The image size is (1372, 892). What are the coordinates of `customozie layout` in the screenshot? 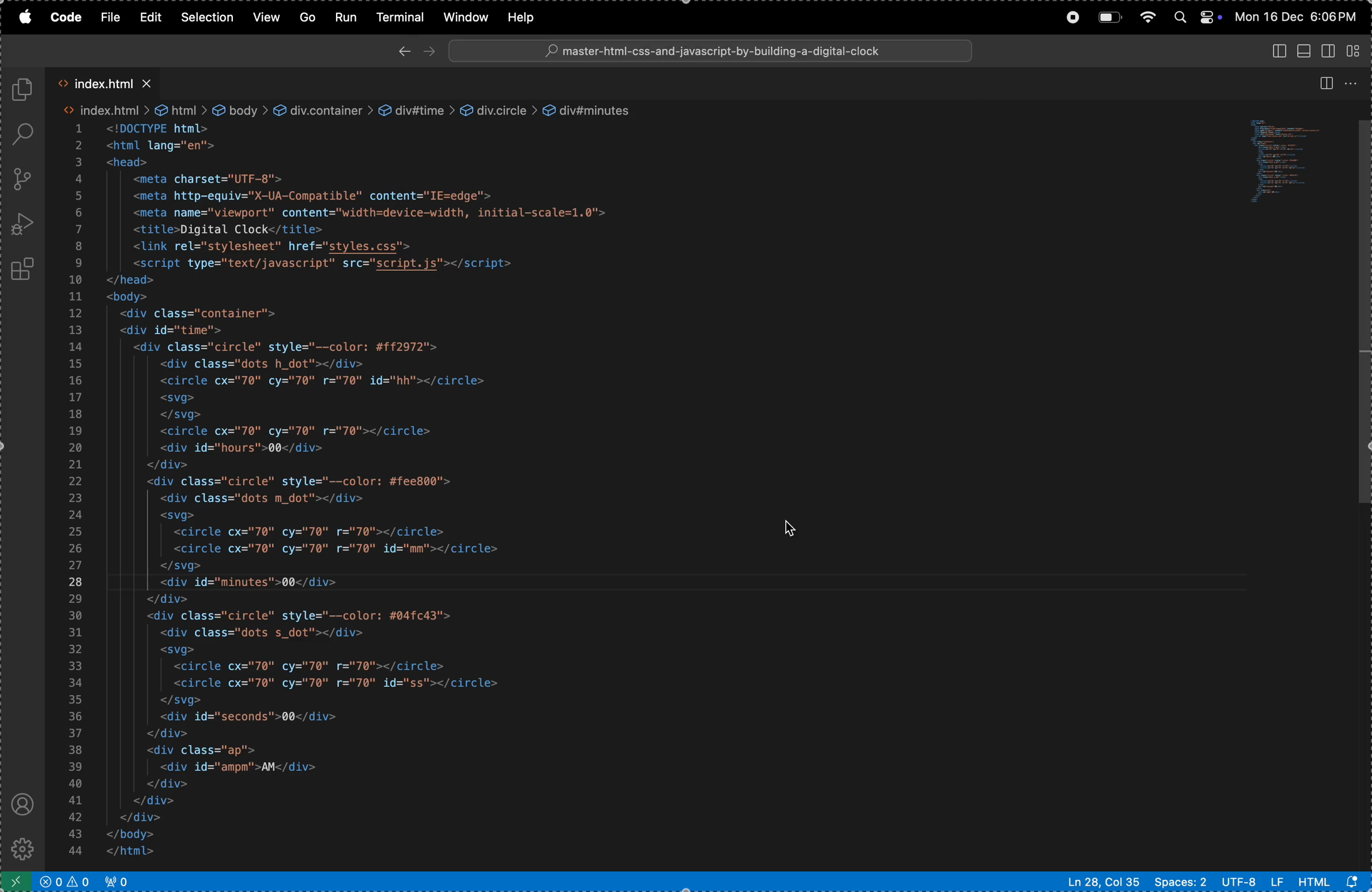 It's located at (1354, 50).